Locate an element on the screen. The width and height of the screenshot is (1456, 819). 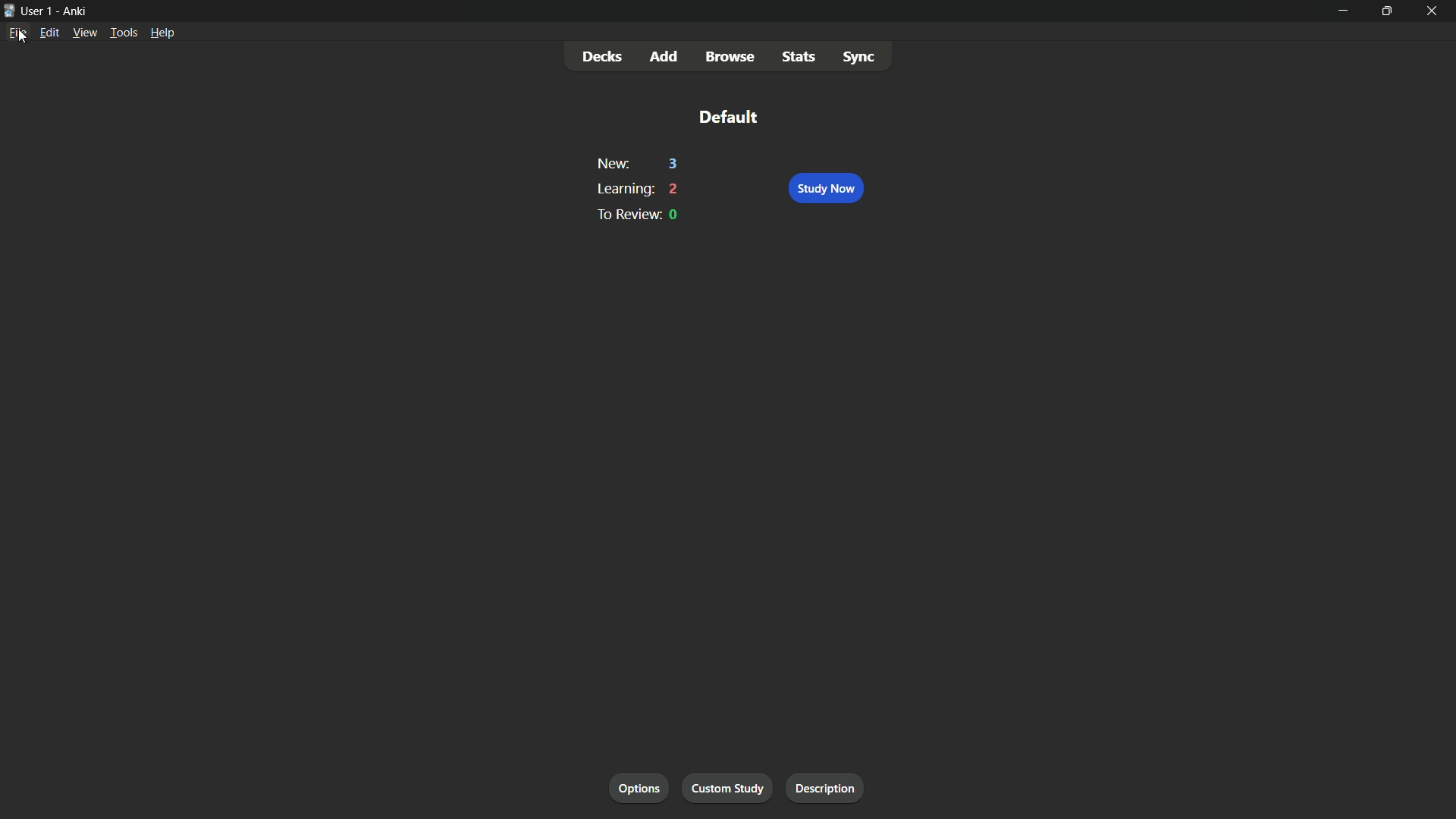
app name is located at coordinates (76, 10).